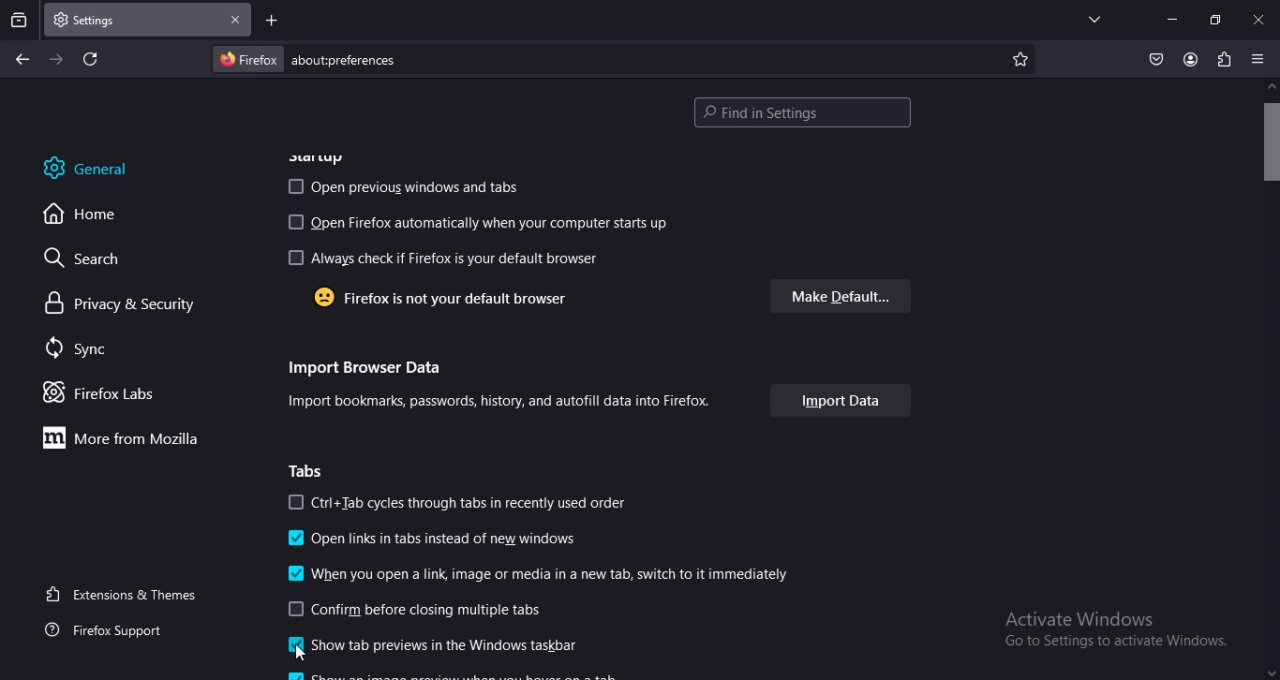  Describe the element at coordinates (1188, 59) in the screenshot. I see `account` at that location.